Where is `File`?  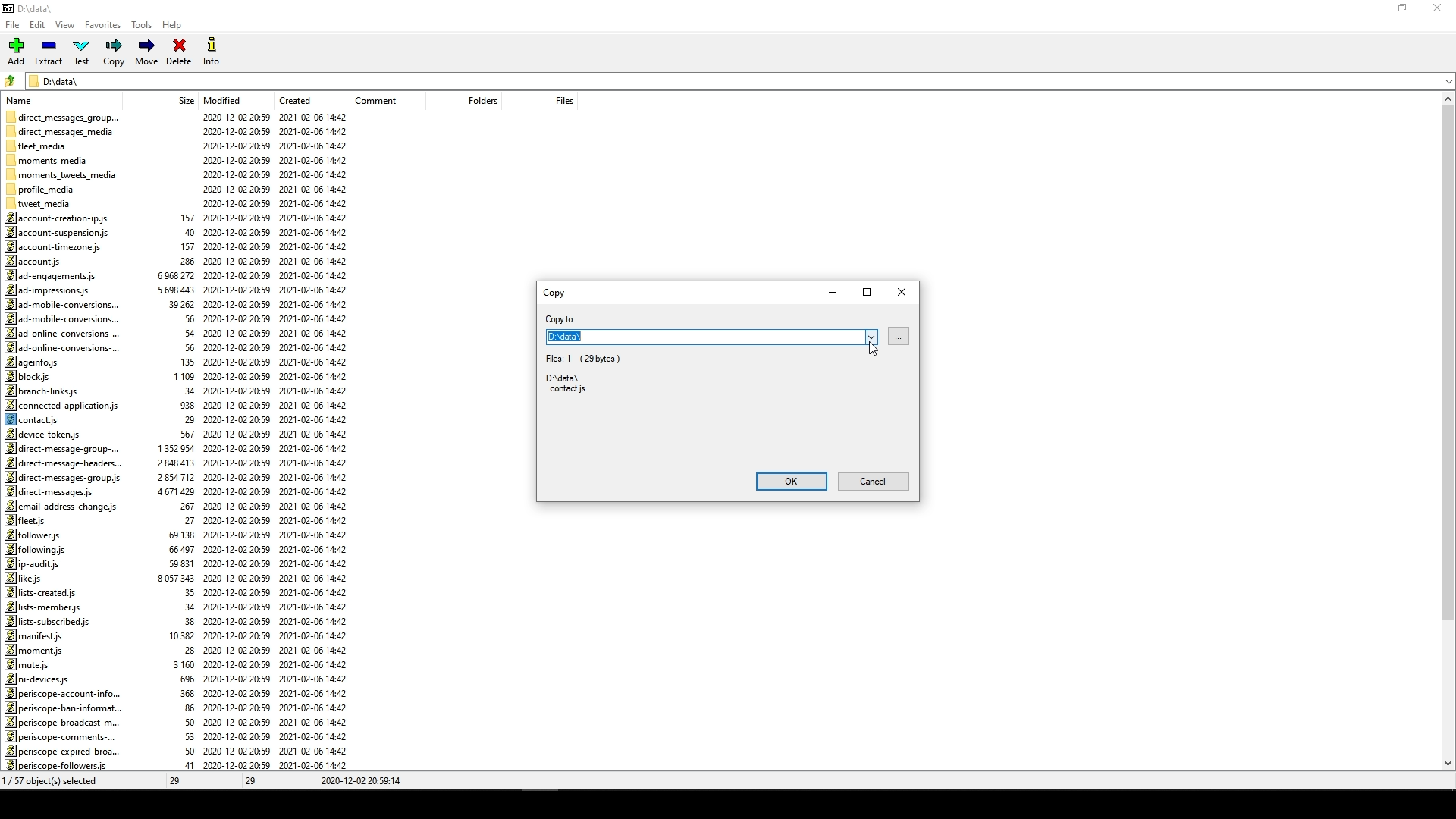
File is located at coordinates (15, 22).